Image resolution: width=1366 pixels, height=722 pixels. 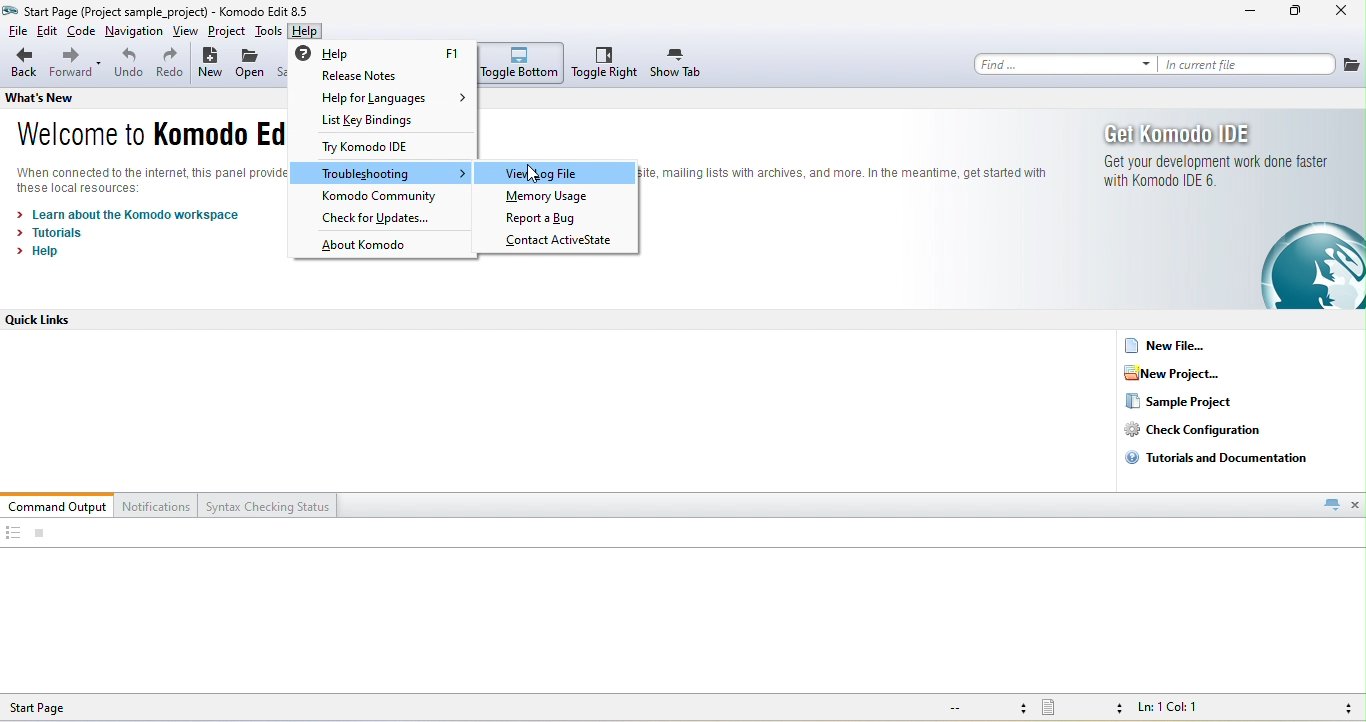 I want to click on text, so click(x=150, y=180).